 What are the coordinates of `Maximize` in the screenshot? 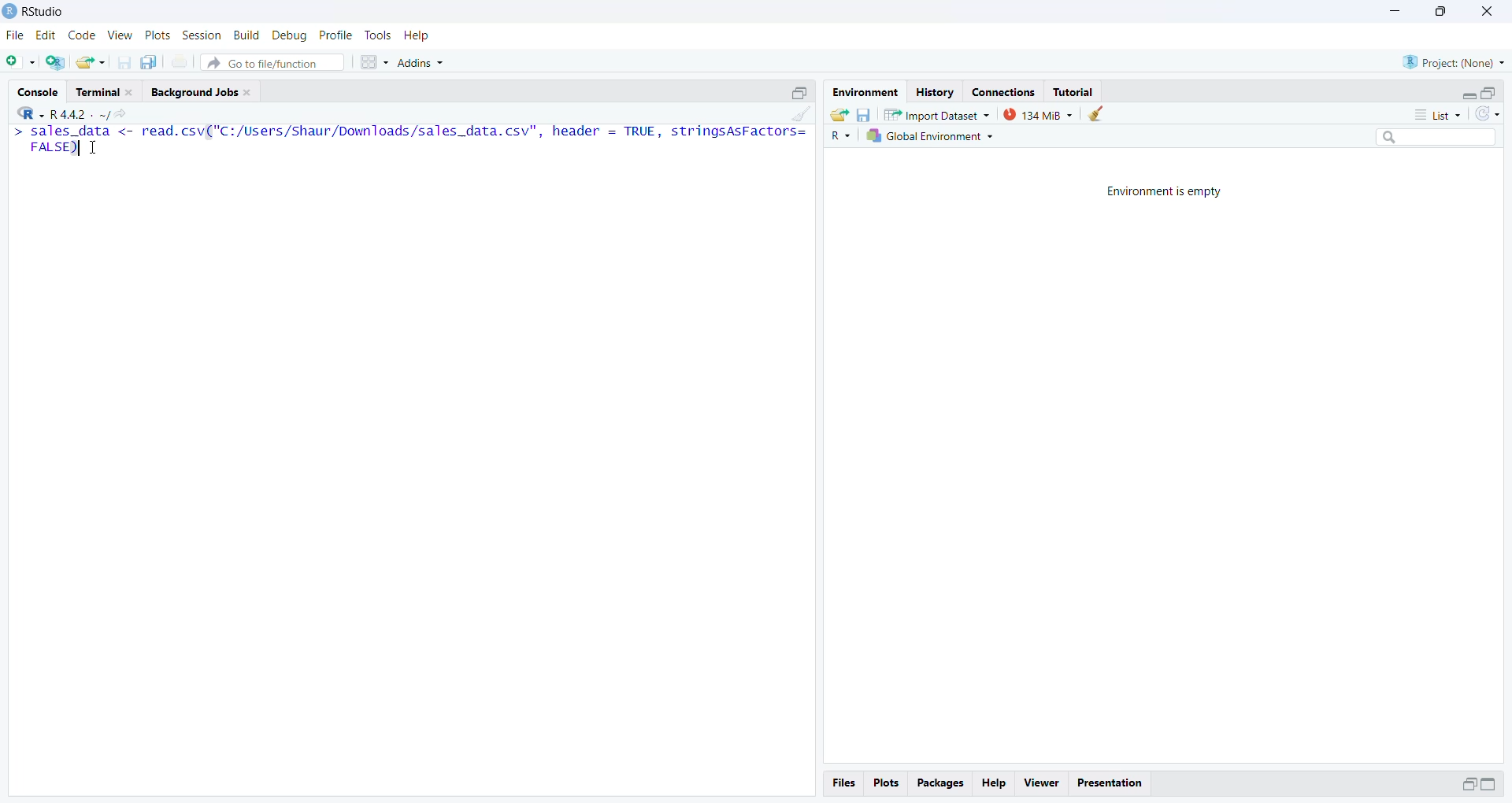 It's located at (798, 93).